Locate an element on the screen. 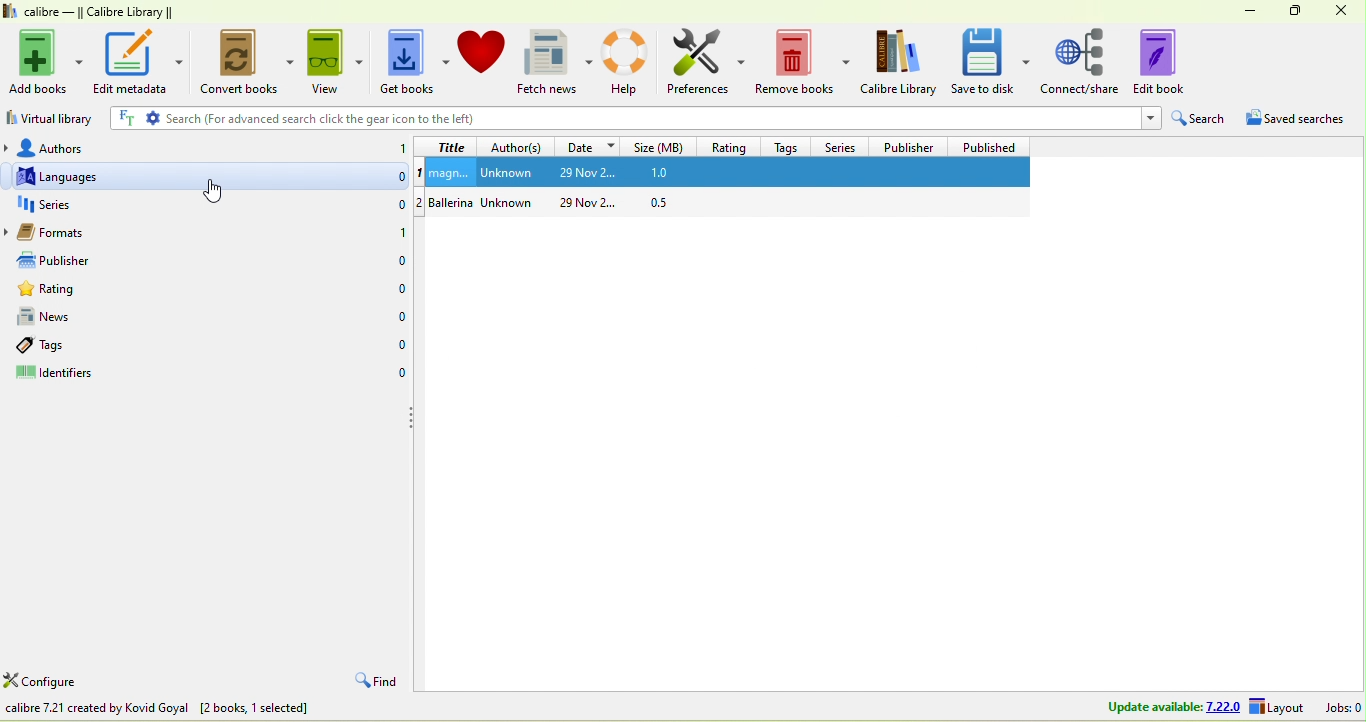  tags is located at coordinates (781, 147).